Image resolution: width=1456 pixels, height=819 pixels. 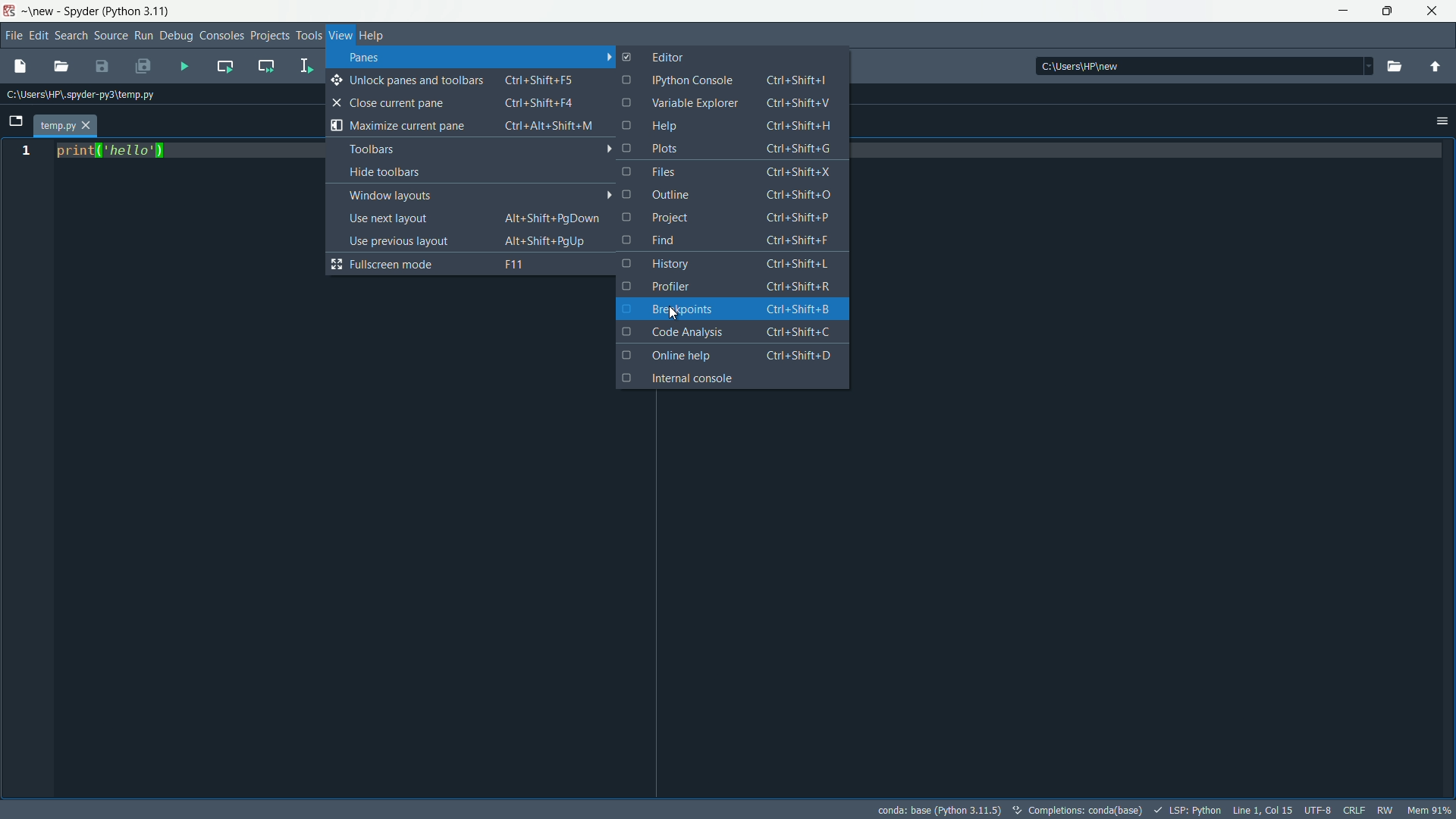 What do you see at coordinates (38, 36) in the screenshot?
I see `edit menu` at bounding box center [38, 36].